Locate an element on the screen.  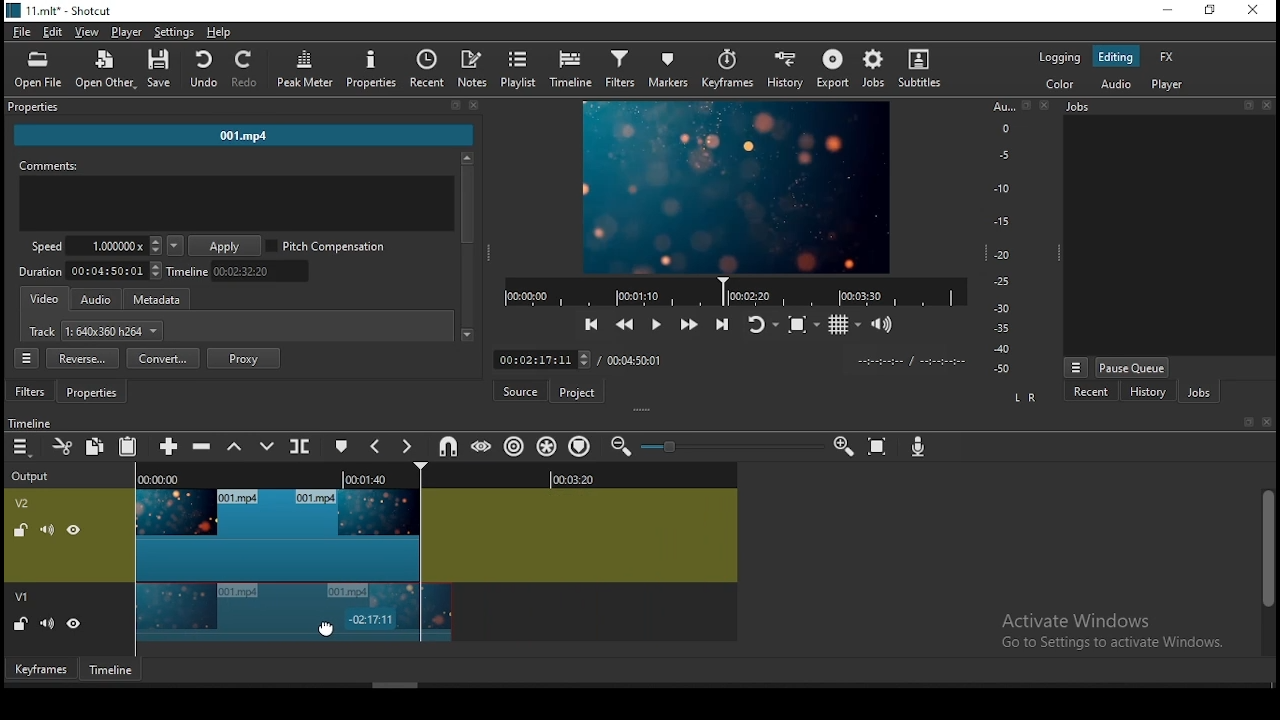
jobs is located at coordinates (878, 69).